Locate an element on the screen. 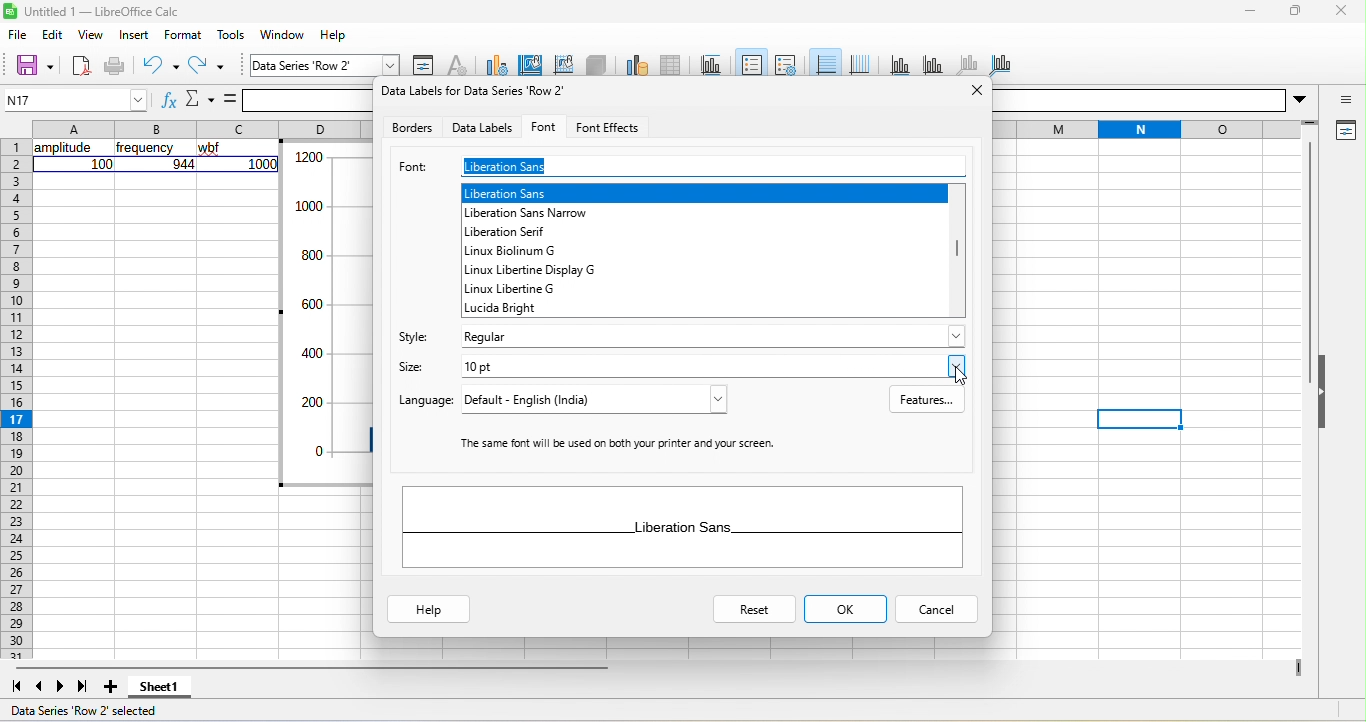 The width and height of the screenshot is (1366, 722). help is located at coordinates (428, 609).